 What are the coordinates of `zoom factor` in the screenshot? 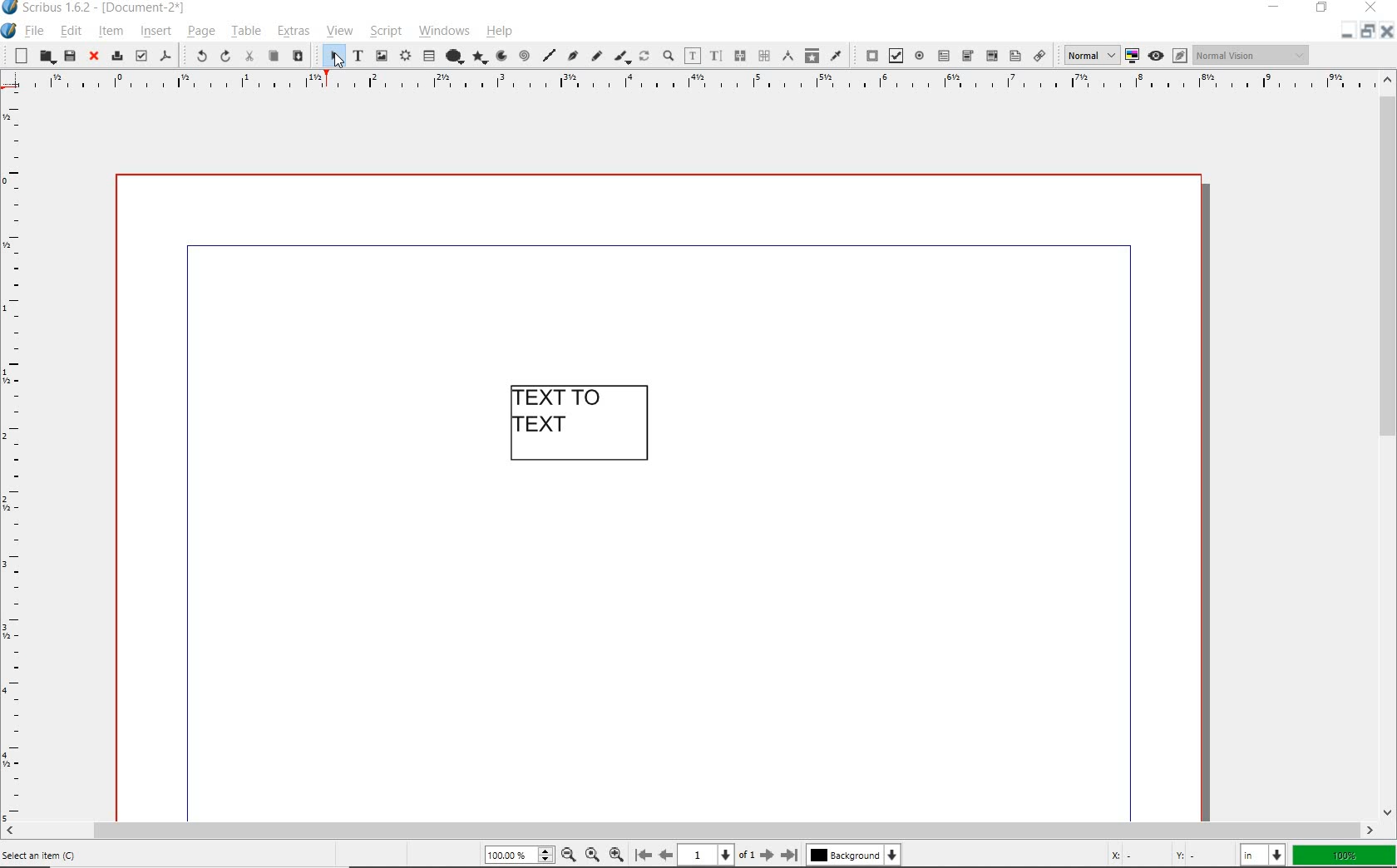 It's located at (1345, 856).